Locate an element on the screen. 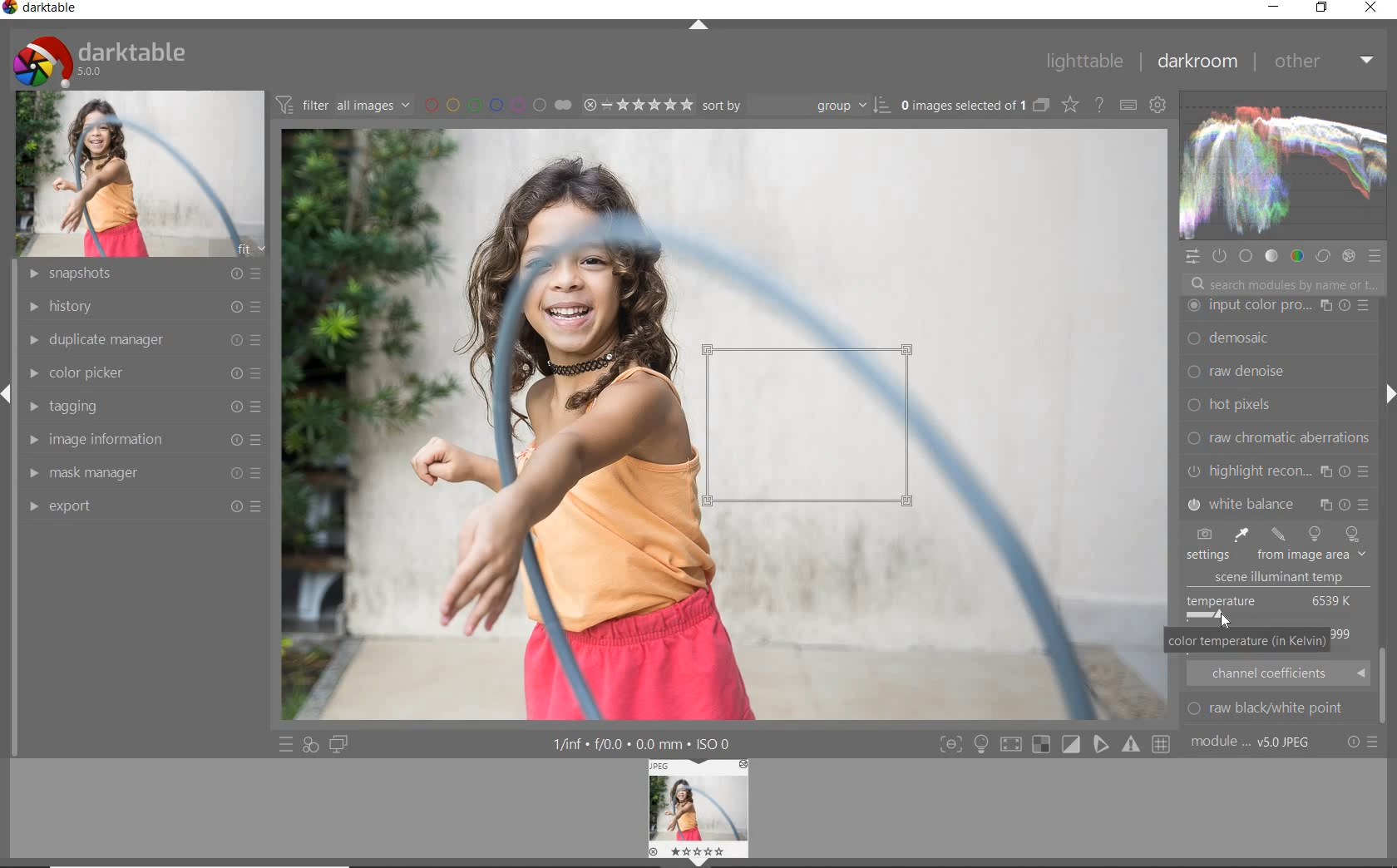 The width and height of the screenshot is (1397, 868). lighttable is located at coordinates (1084, 62).